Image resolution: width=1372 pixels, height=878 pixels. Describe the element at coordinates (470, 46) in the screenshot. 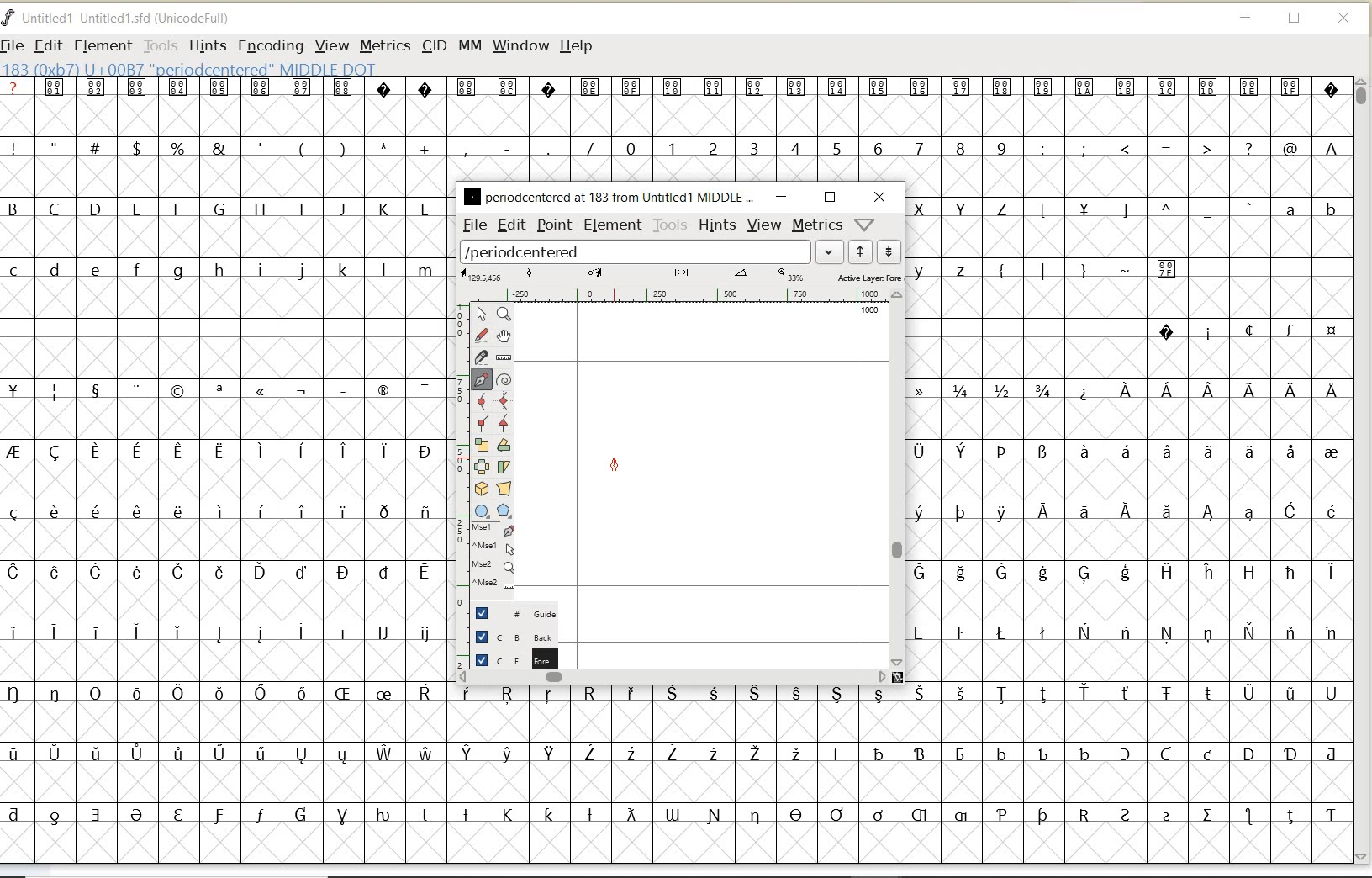

I see `MM` at that location.